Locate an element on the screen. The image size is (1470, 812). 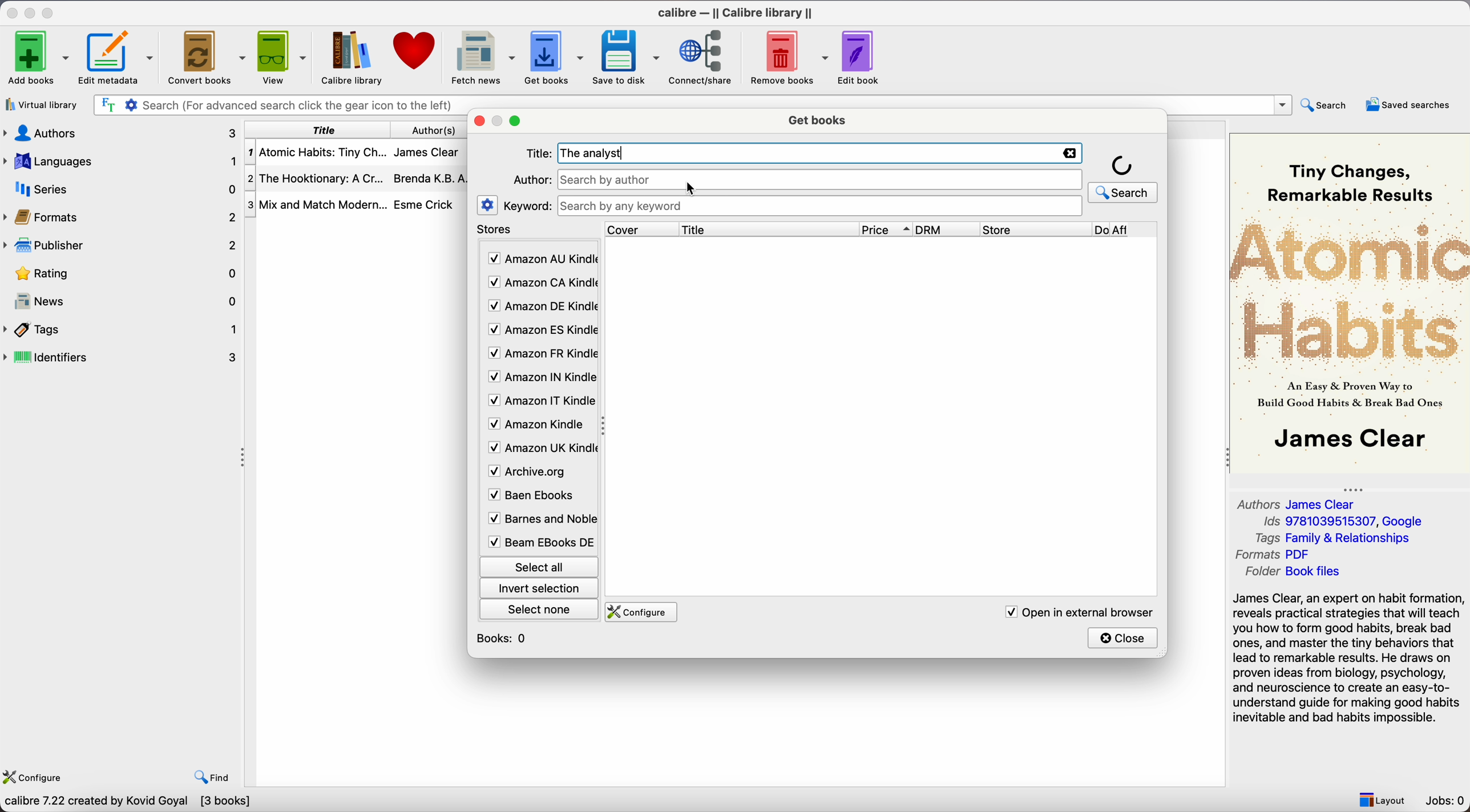
formats is located at coordinates (123, 217).